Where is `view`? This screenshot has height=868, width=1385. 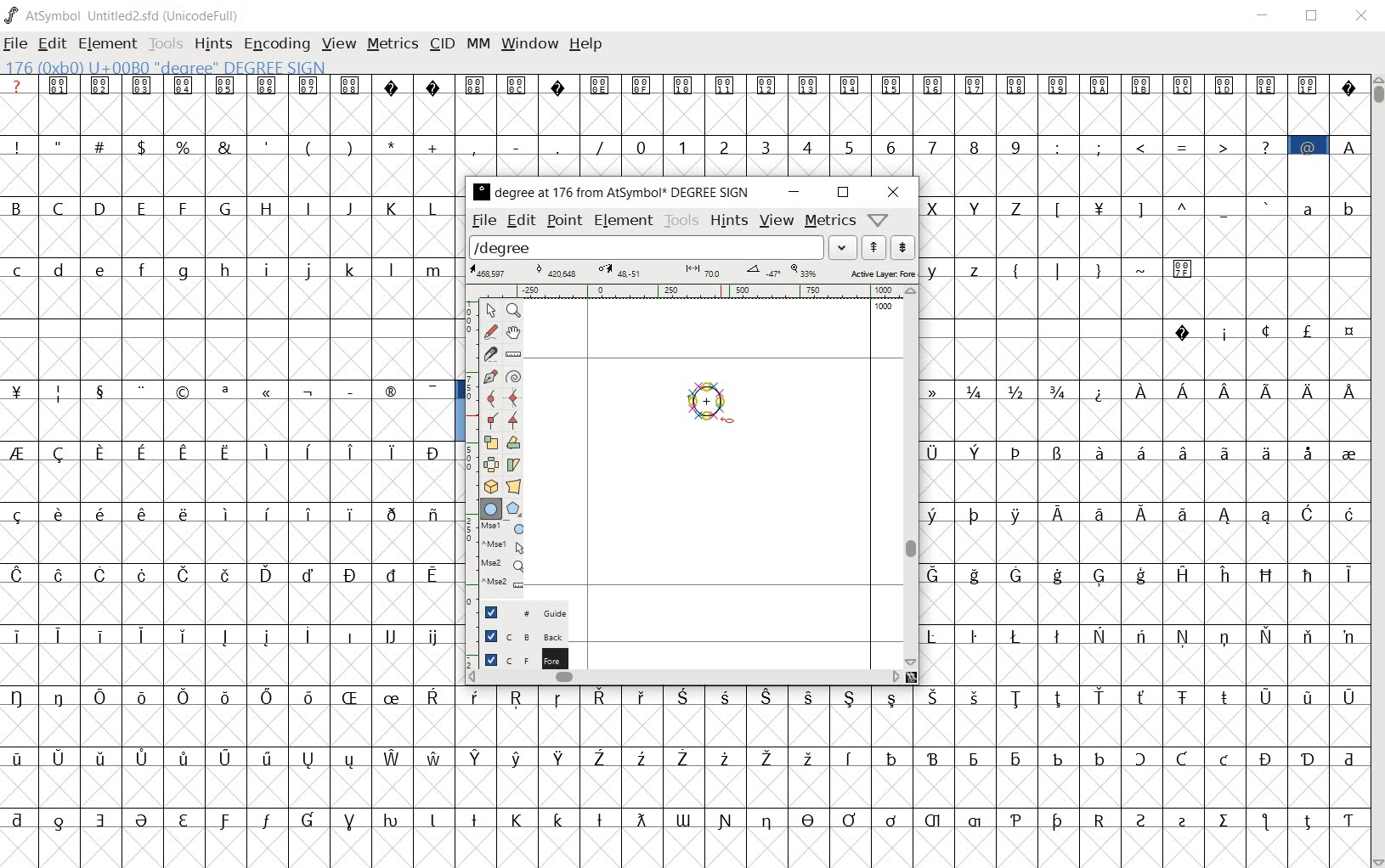 view is located at coordinates (337, 44).